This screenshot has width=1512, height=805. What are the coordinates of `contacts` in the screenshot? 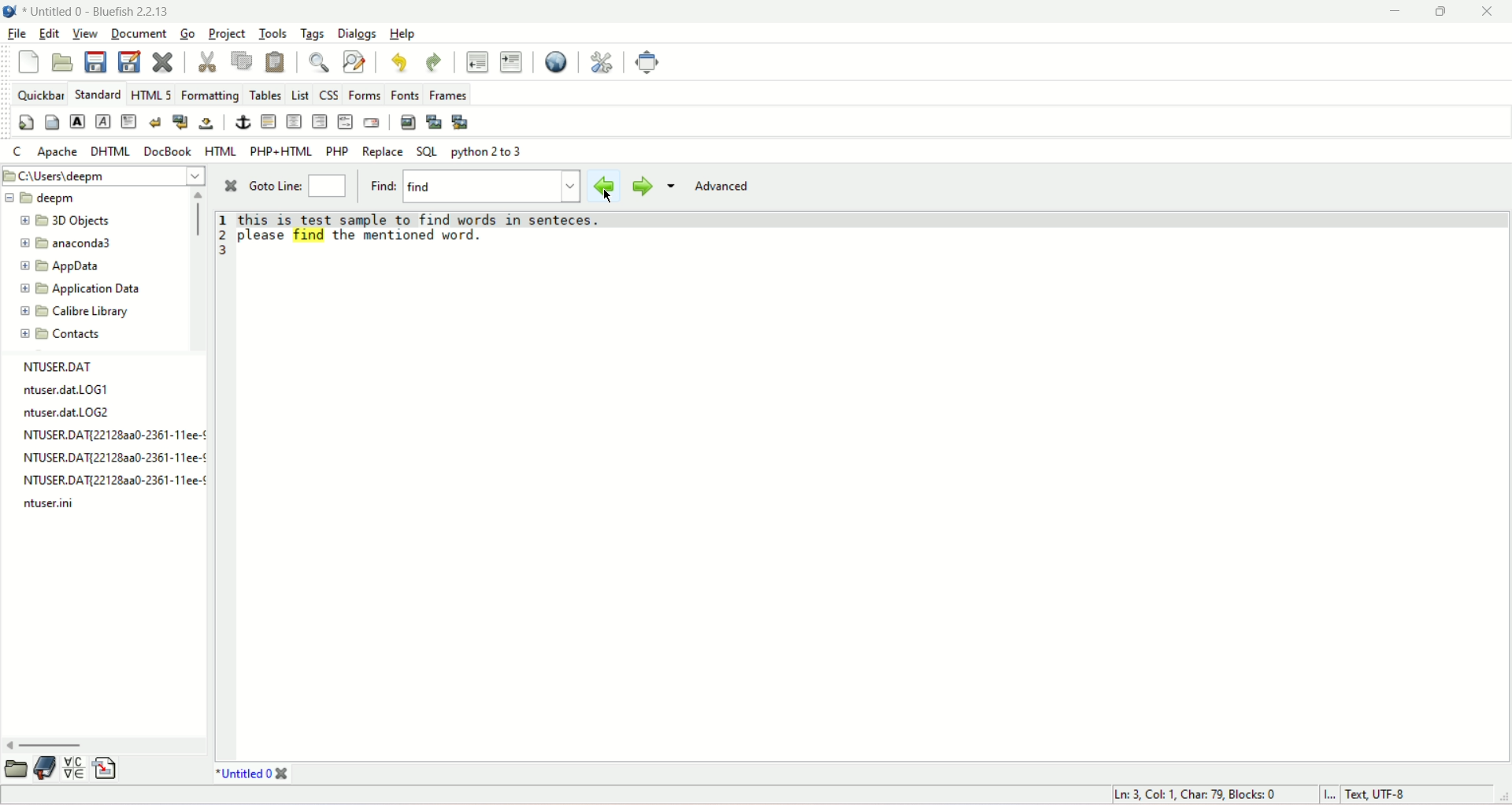 It's located at (61, 336).